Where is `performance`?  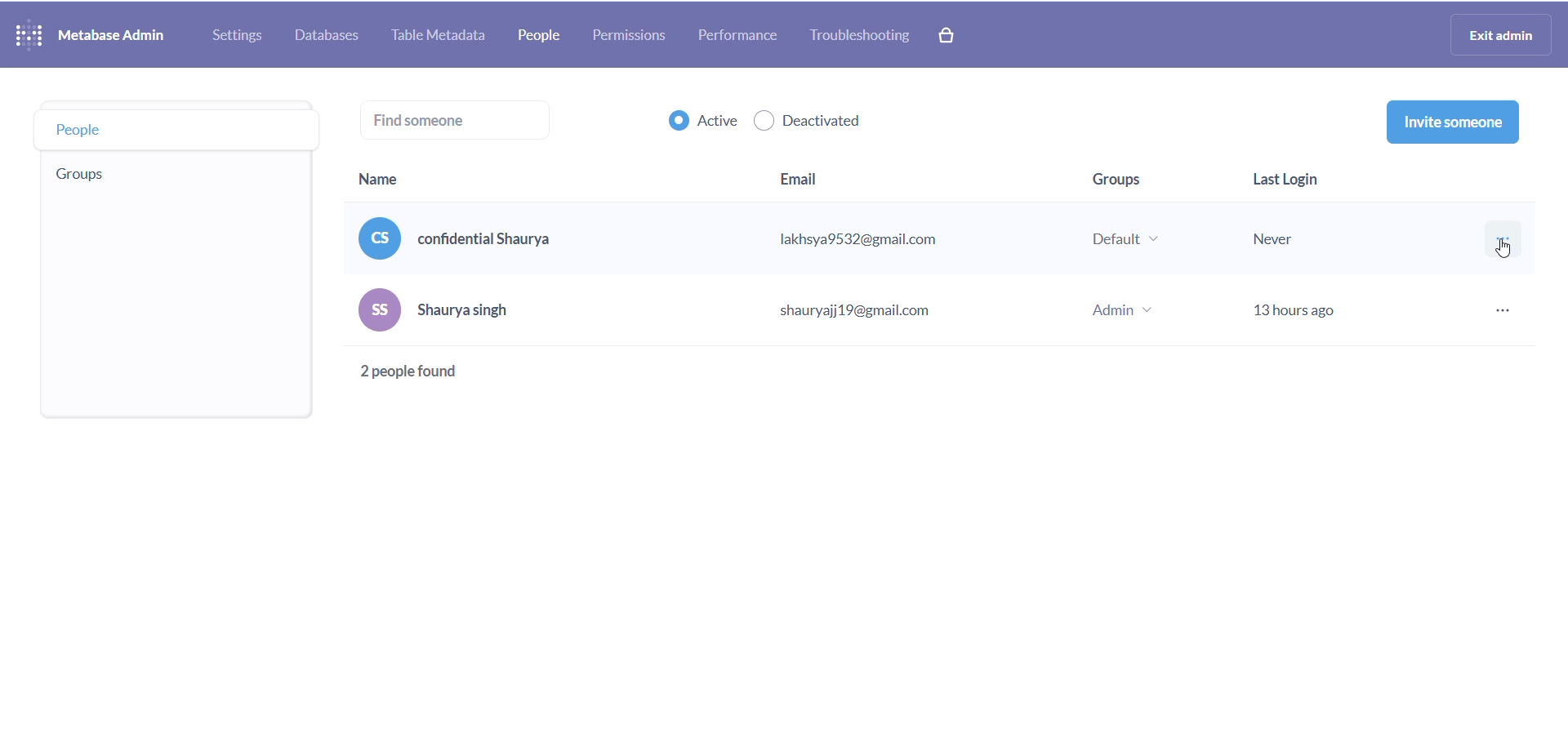 performance is located at coordinates (737, 35).